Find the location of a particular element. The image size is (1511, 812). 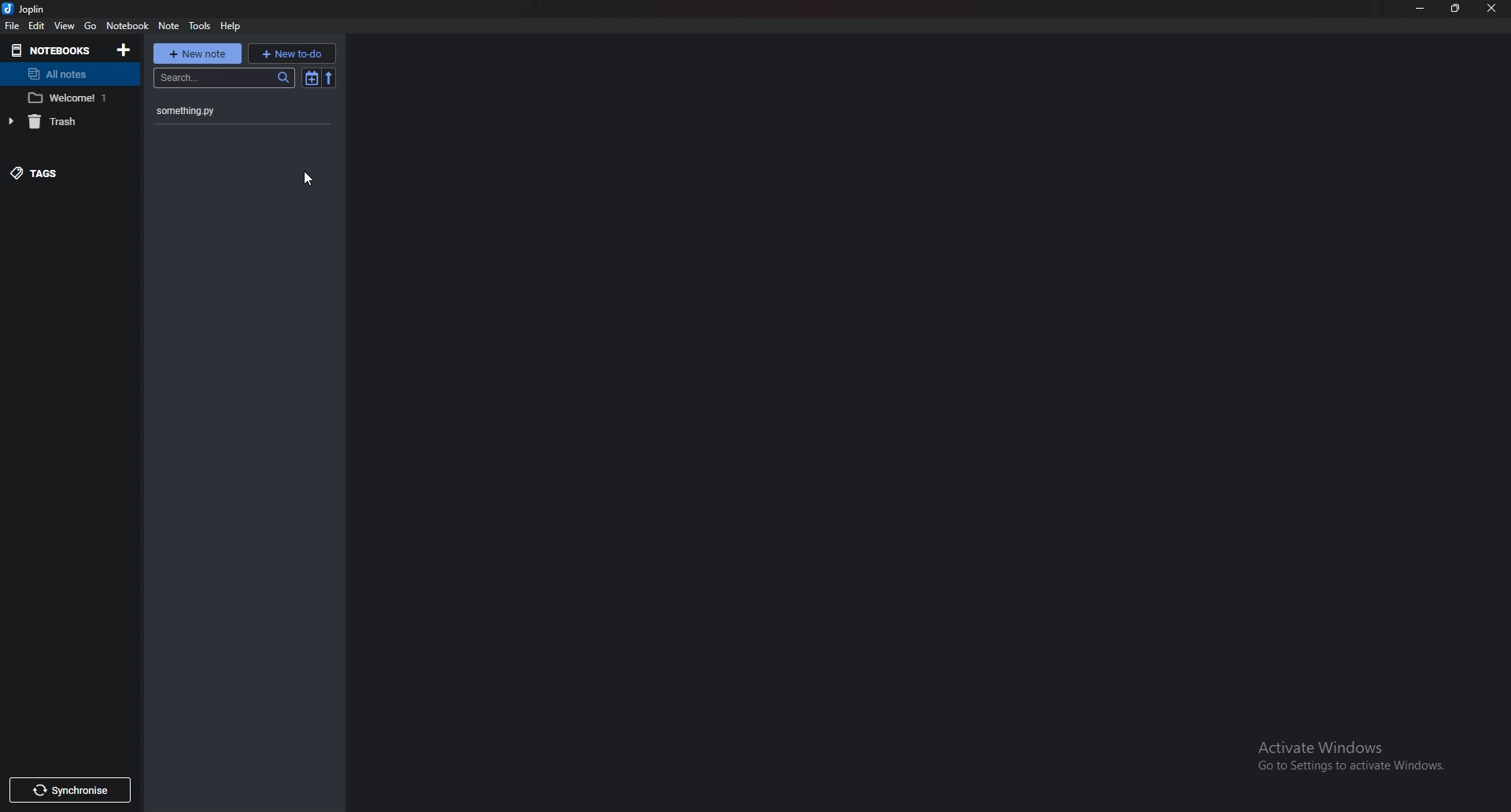

Synchronize is located at coordinates (69, 791).